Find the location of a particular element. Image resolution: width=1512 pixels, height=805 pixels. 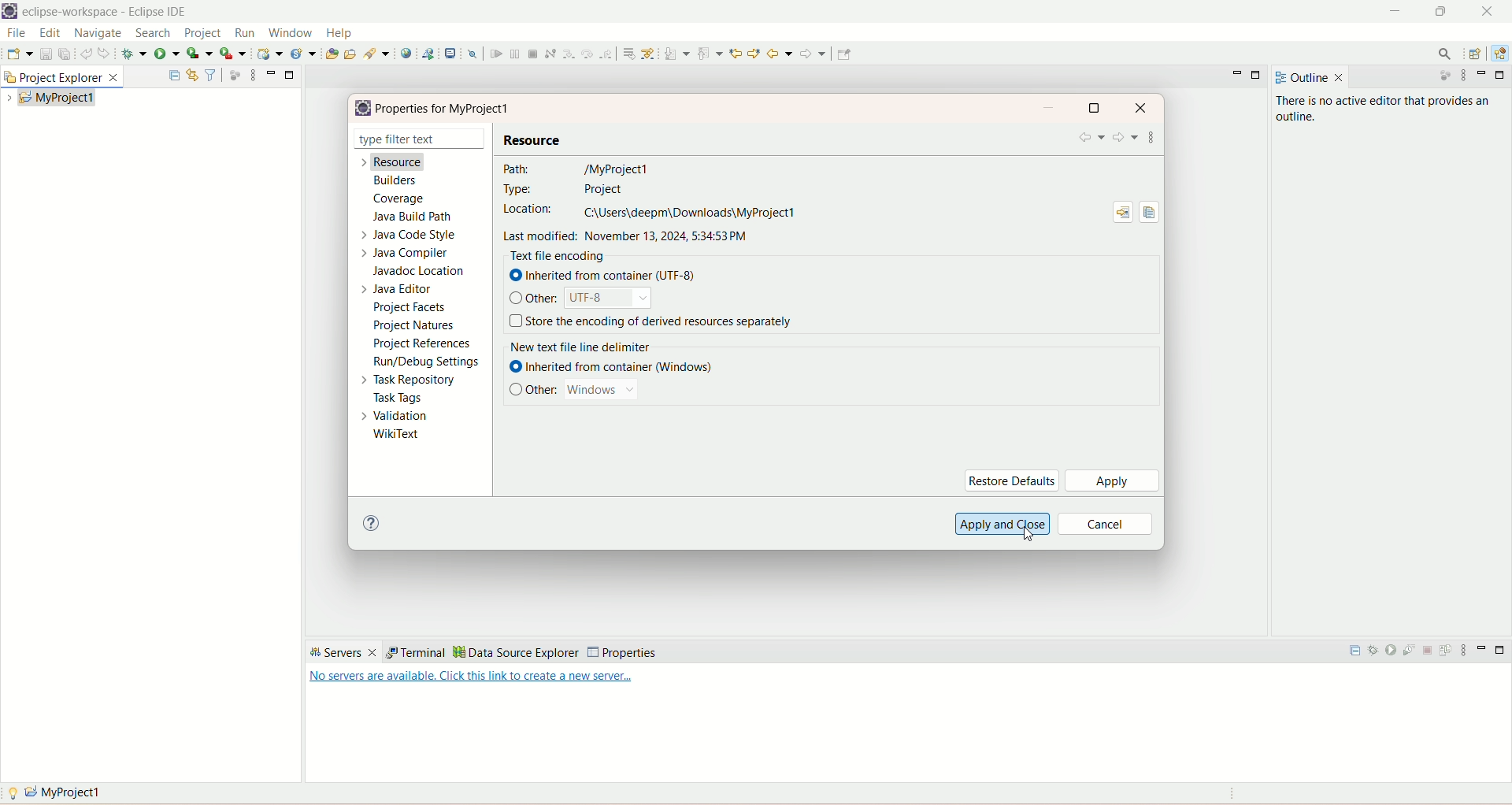

next annotation is located at coordinates (678, 55).